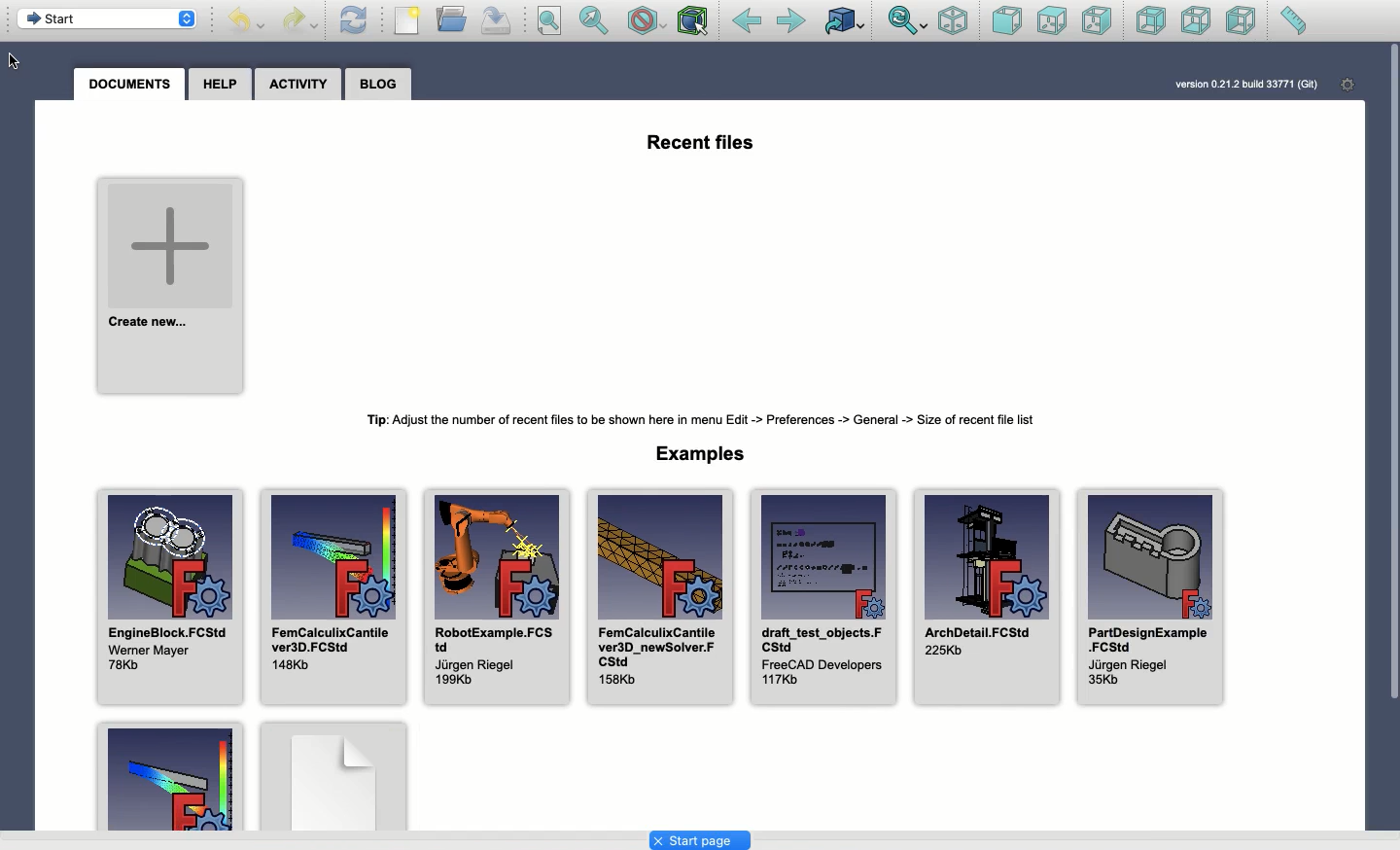 The image size is (1400, 850). What do you see at coordinates (1150, 20) in the screenshot?
I see `Rear` at bounding box center [1150, 20].